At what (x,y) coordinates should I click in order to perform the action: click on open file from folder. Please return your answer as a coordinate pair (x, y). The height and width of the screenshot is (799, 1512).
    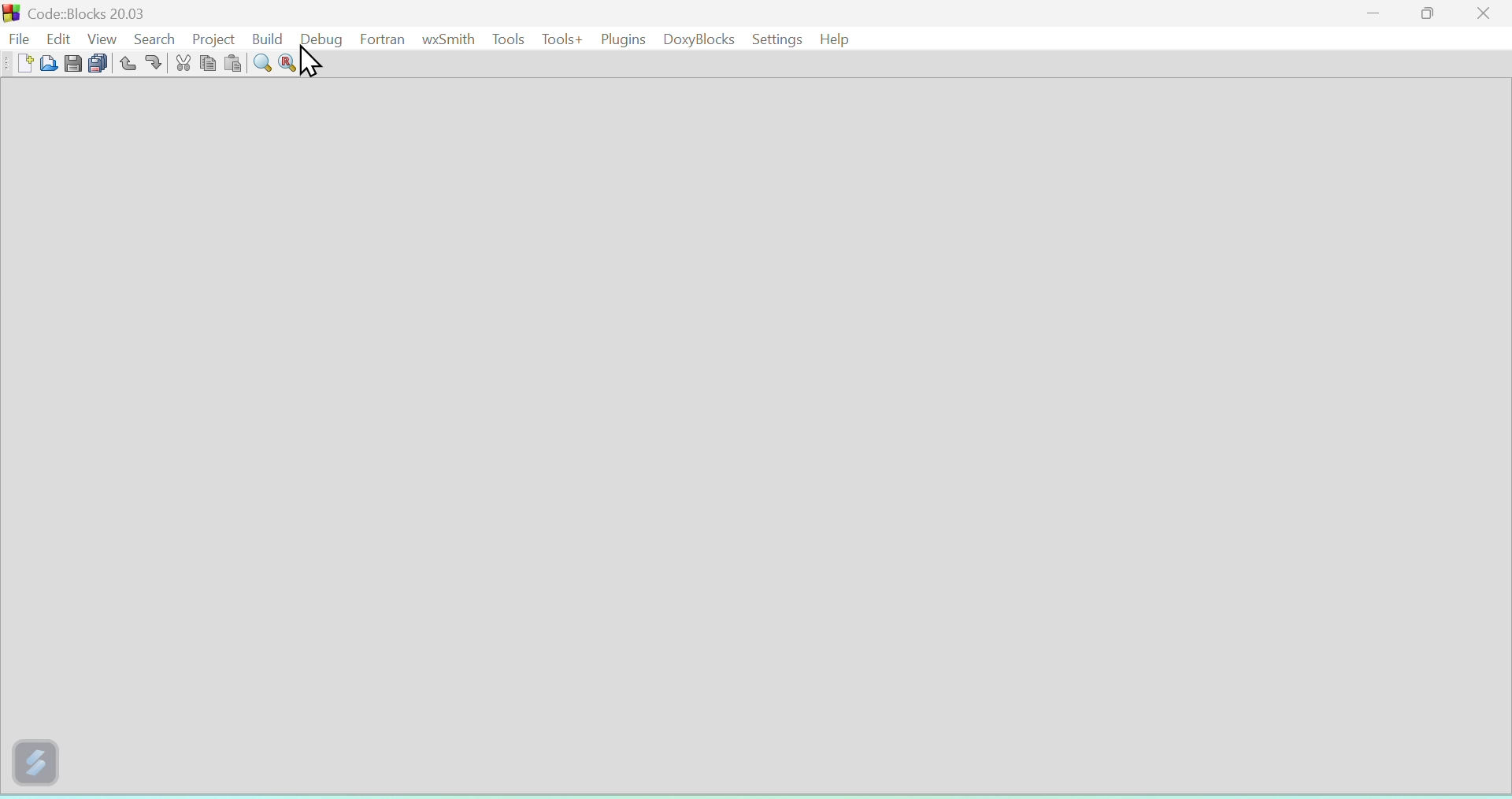
    Looking at the image, I should click on (47, 65).